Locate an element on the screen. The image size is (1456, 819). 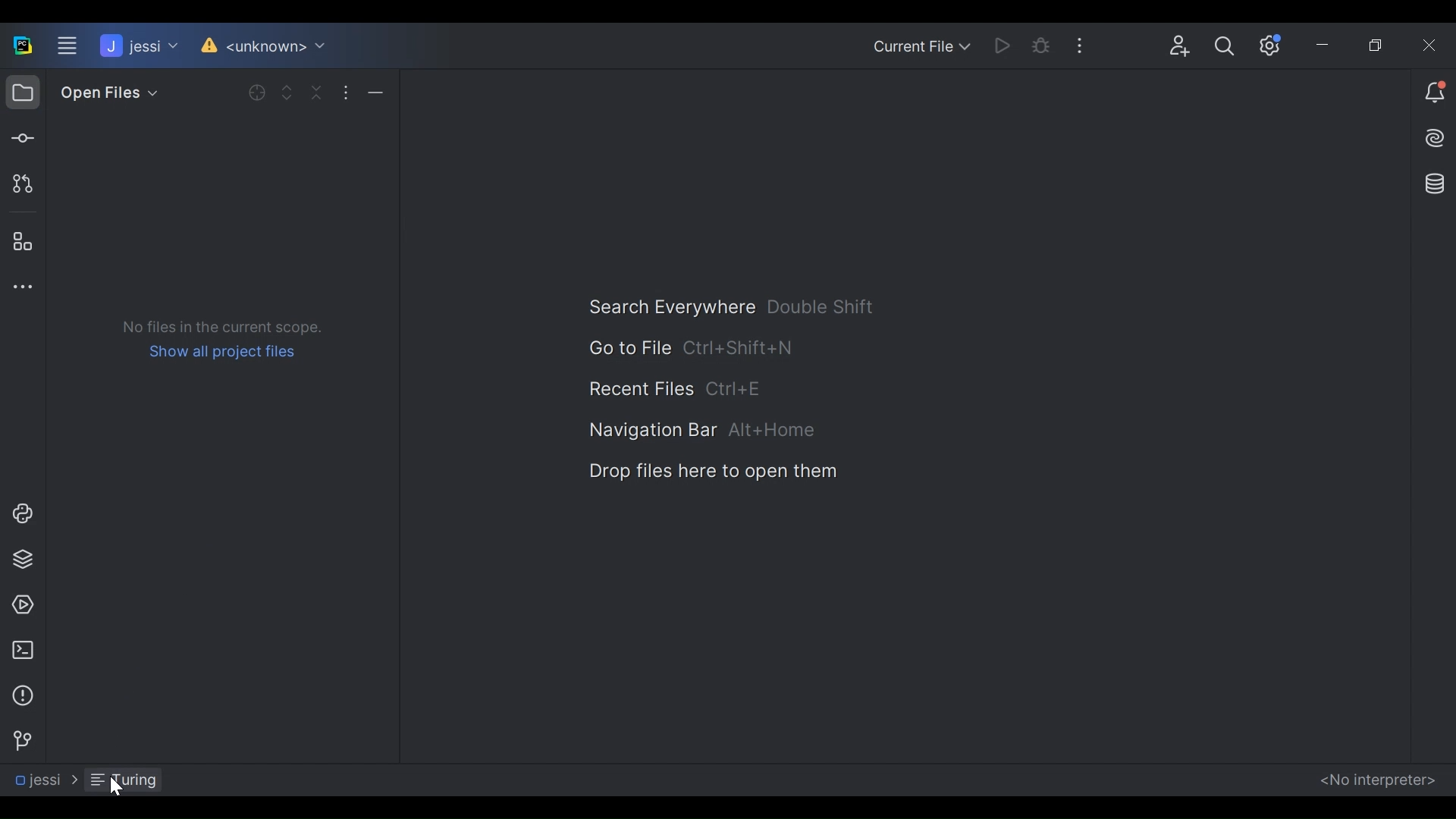
Open selected is located at coordinates (258, 92).